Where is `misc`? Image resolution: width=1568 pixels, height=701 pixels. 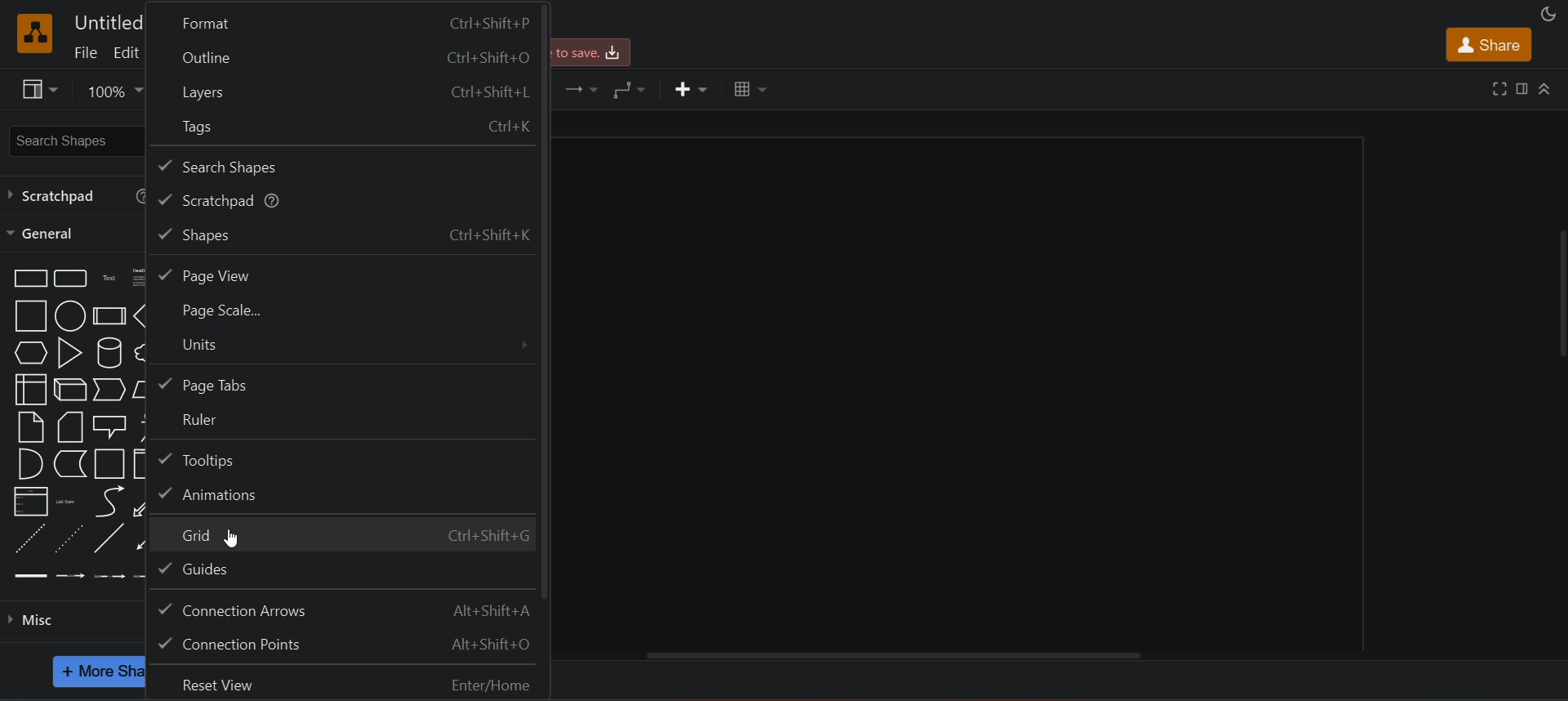 misc is located at coordinates (32, 621).